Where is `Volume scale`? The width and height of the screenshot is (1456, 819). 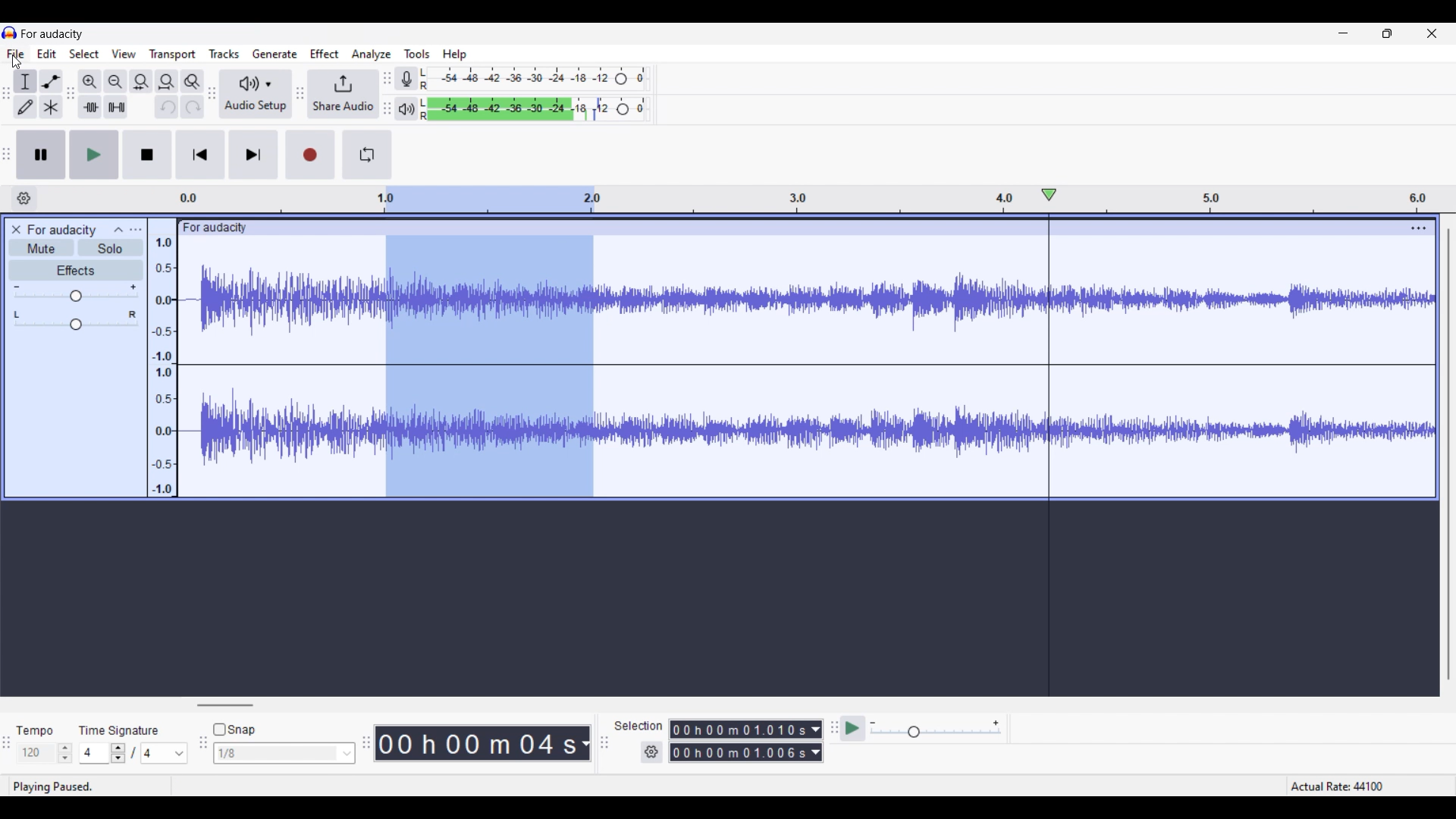 Volume scale is located at coordinates (74, 293).